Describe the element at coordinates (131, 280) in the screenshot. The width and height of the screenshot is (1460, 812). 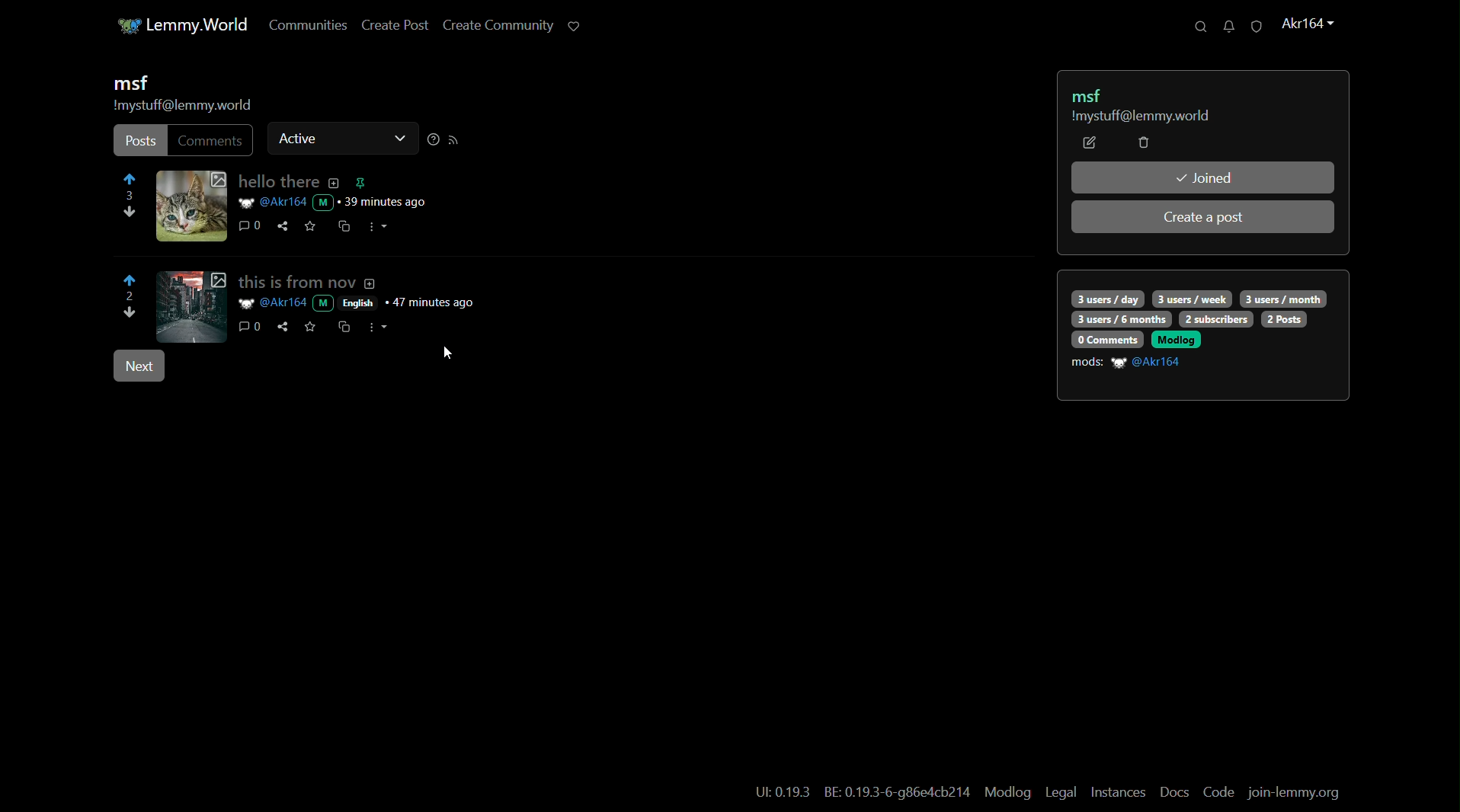
I see `upvote` at that location.